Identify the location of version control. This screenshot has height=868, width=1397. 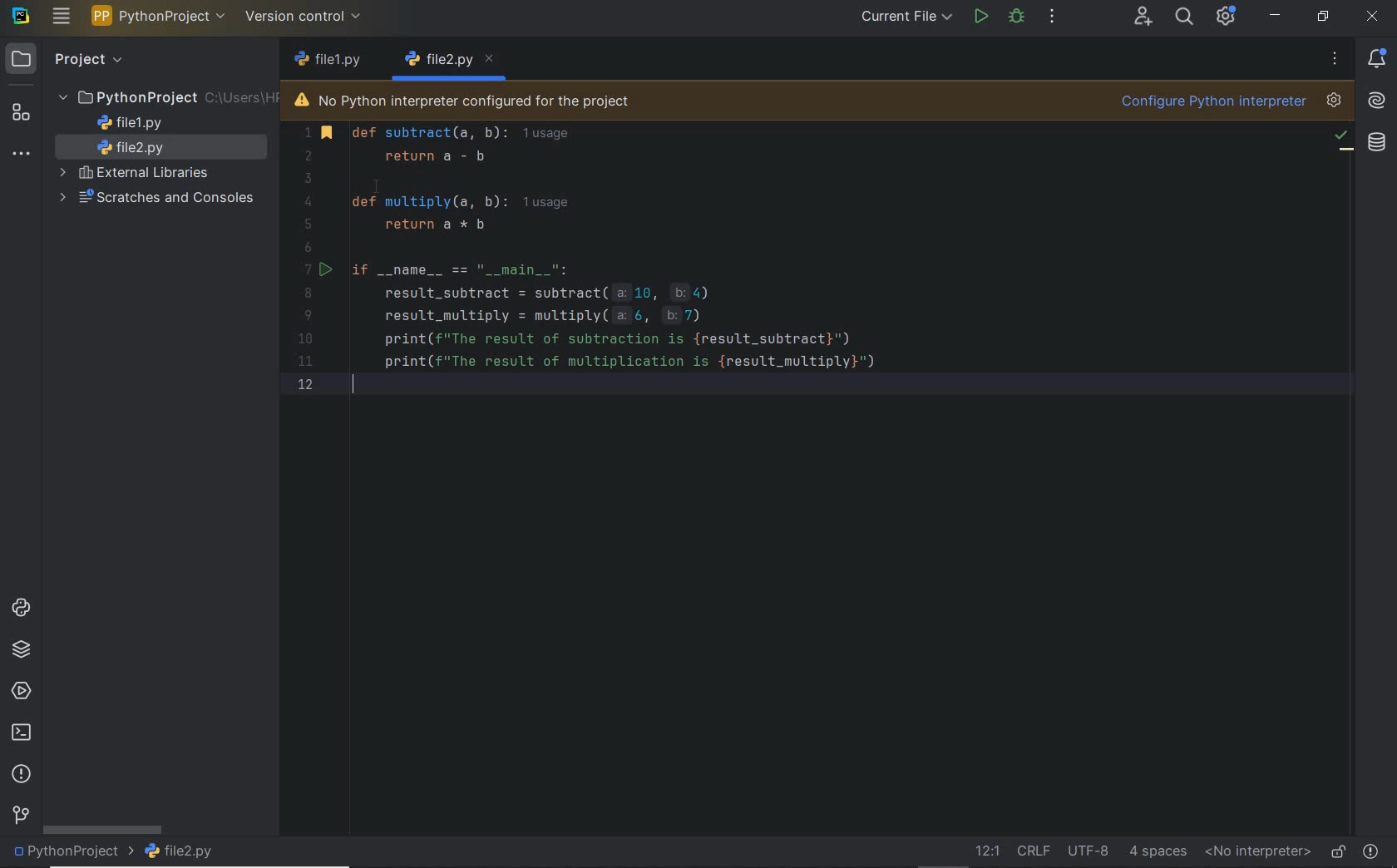
(306, 18).